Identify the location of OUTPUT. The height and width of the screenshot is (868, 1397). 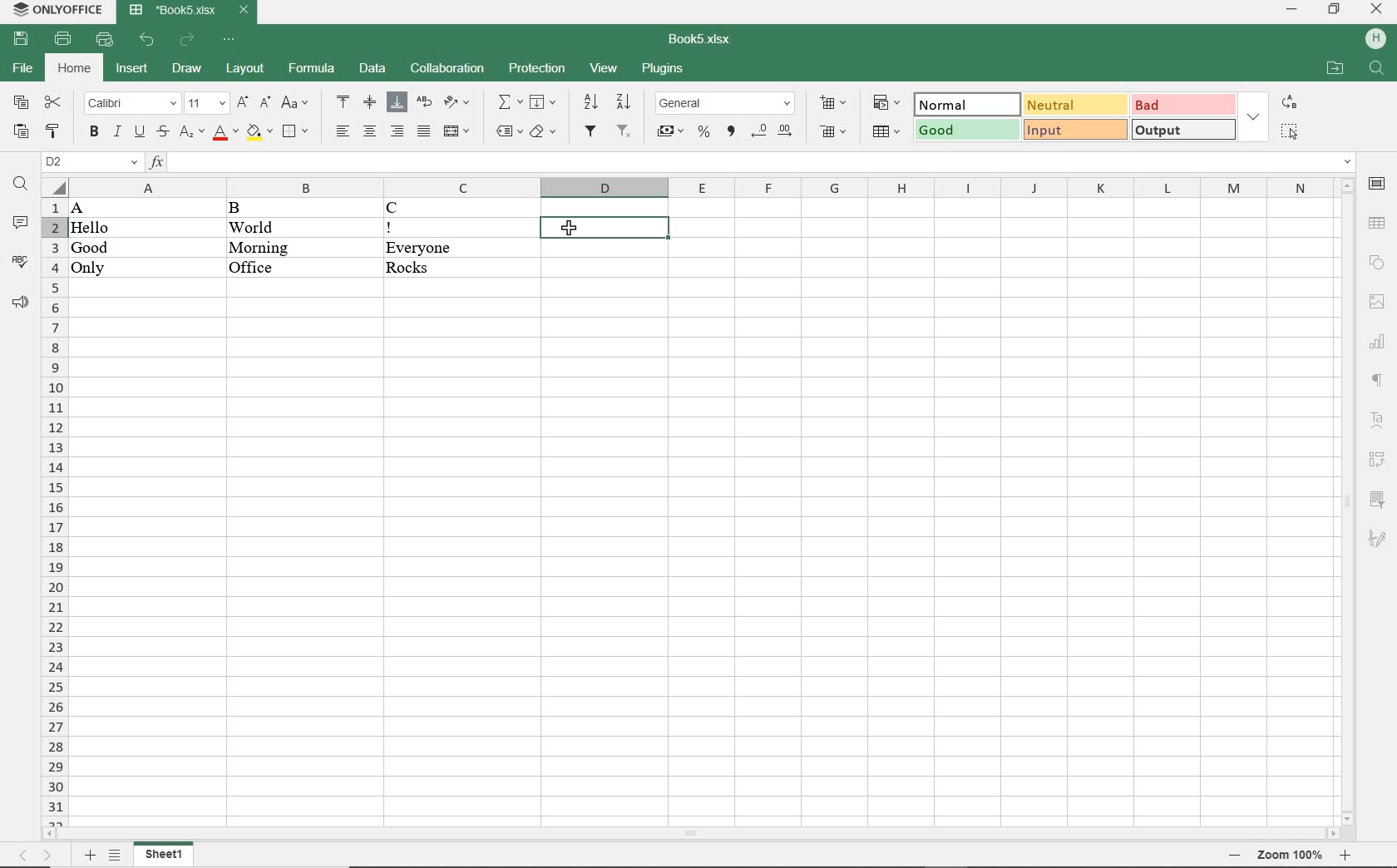
(1183, 128).